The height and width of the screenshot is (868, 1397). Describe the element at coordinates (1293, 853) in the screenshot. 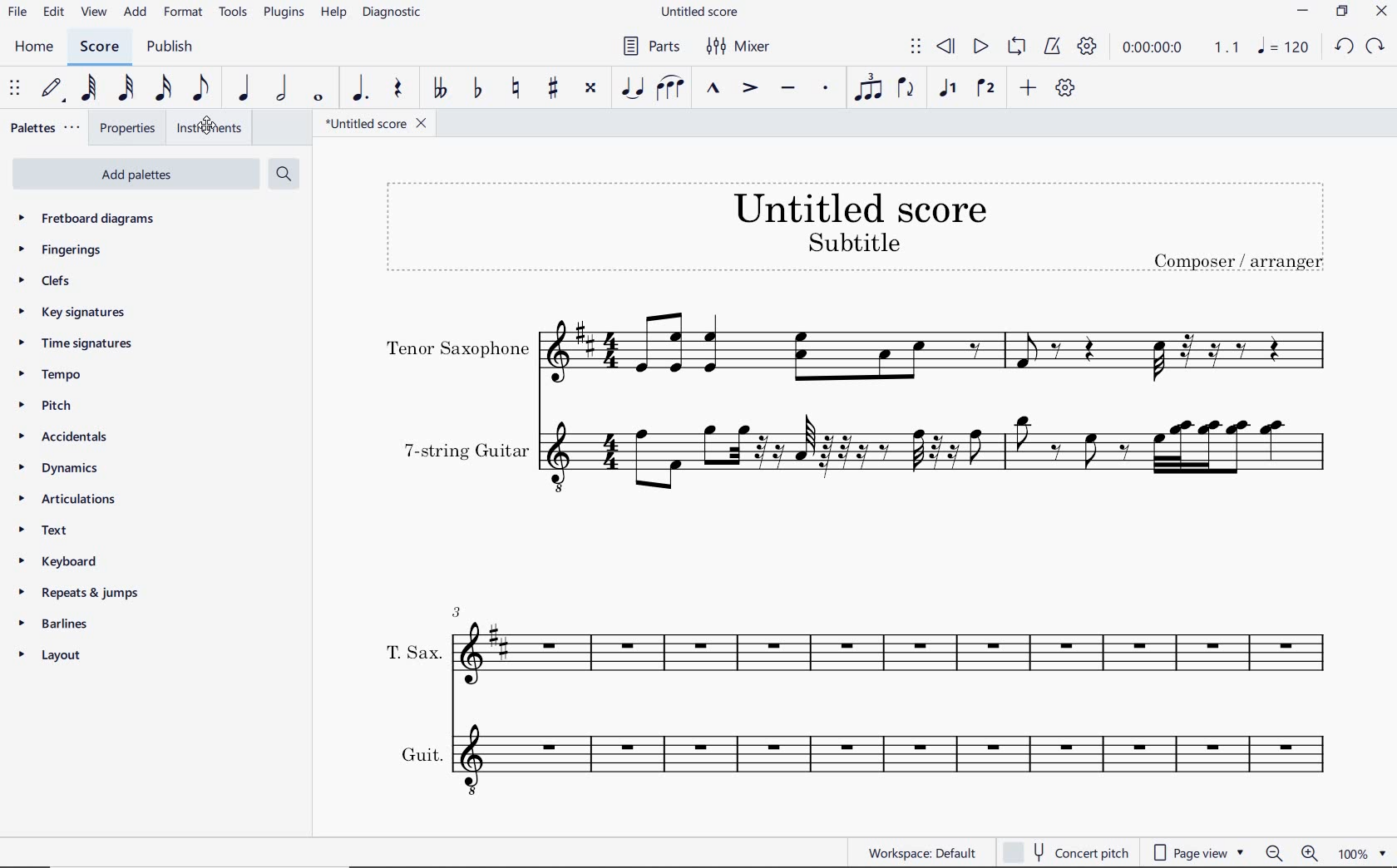

I see `ZOOM OUT OR ZOOM IN` at that location.